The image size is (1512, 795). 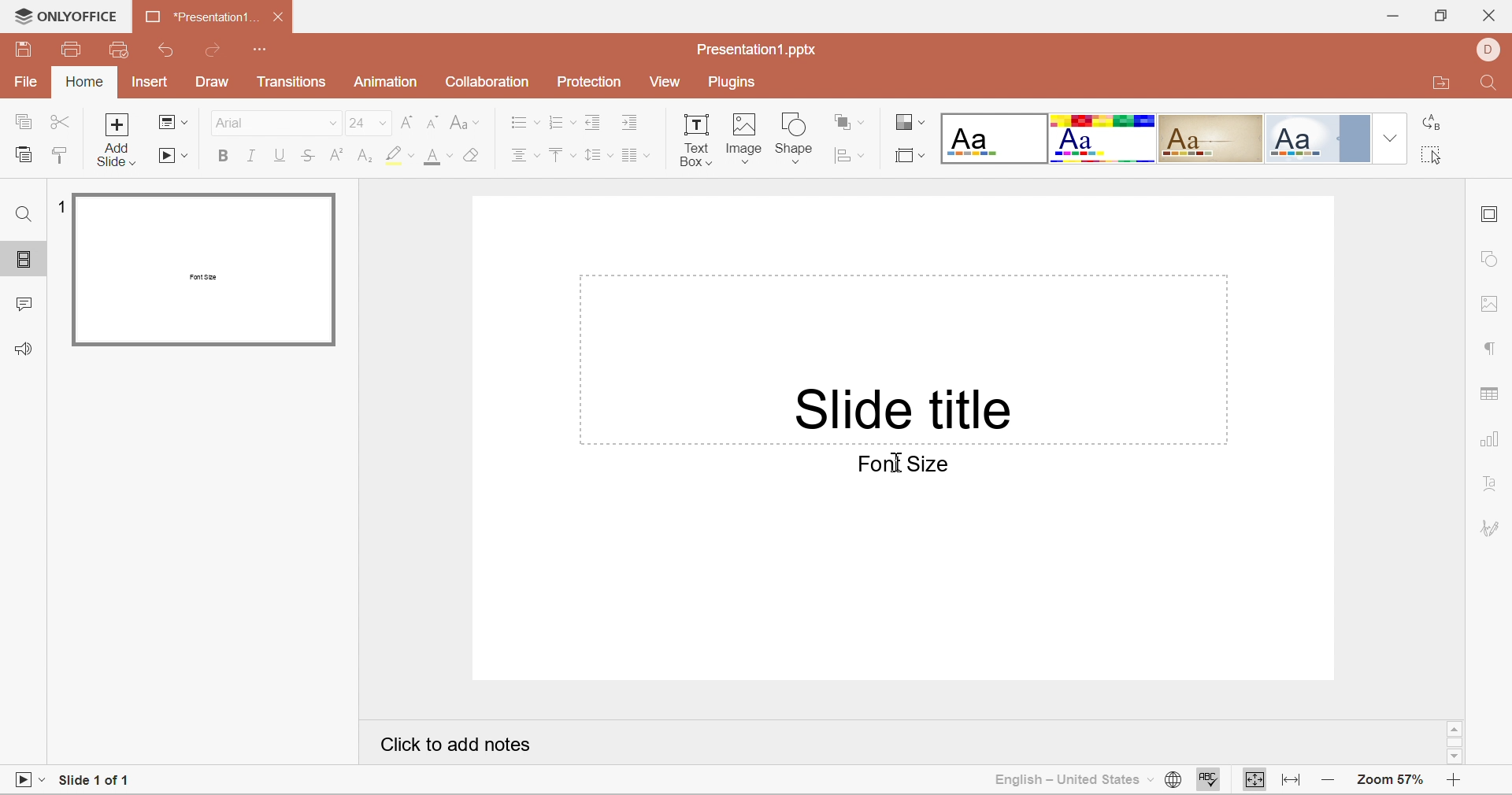 I want to click on Scroll Up, so click(x=1457, y=727).